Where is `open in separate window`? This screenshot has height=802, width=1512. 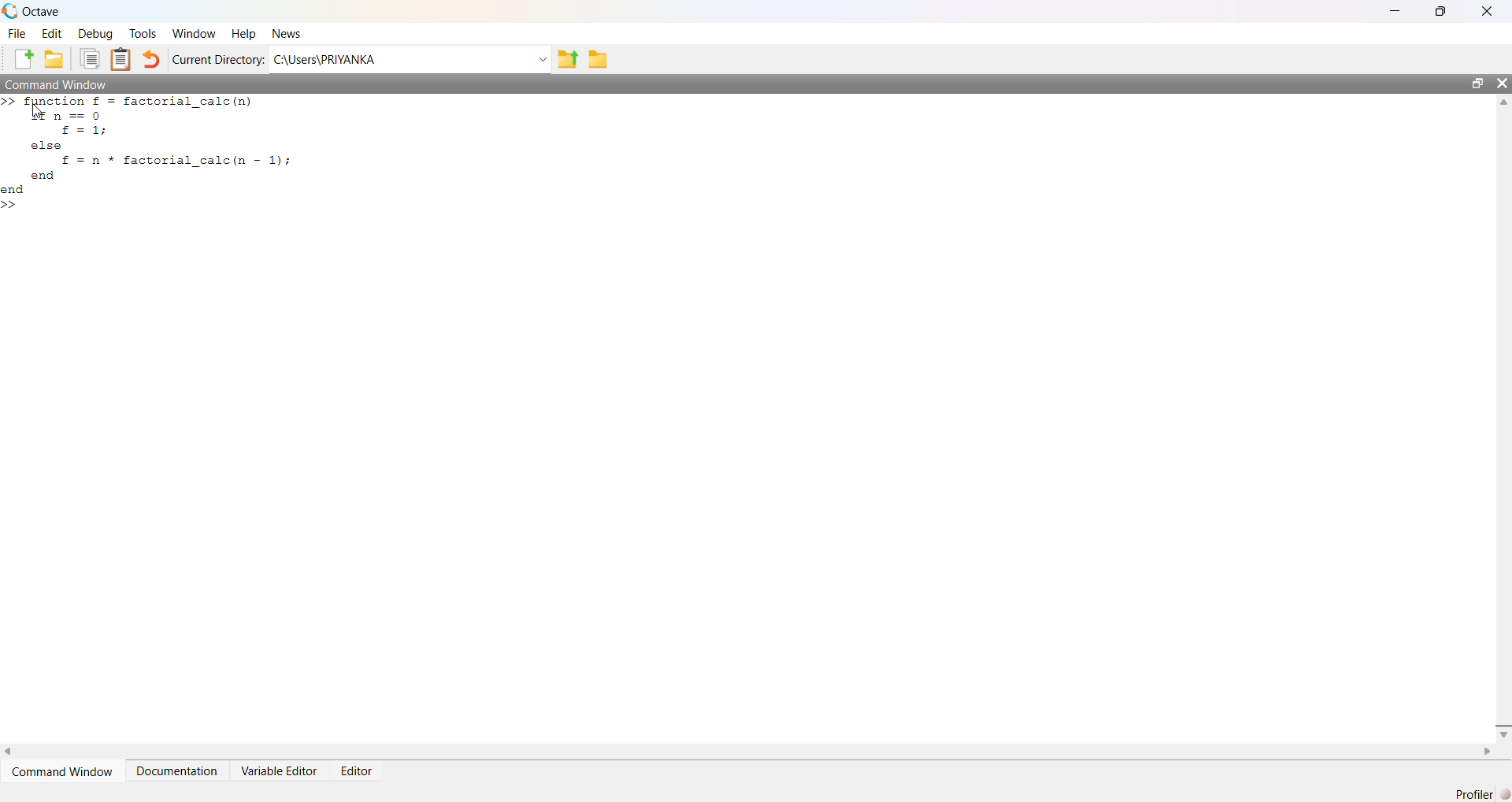
open in separate window is located at coordinates (1477, 81).